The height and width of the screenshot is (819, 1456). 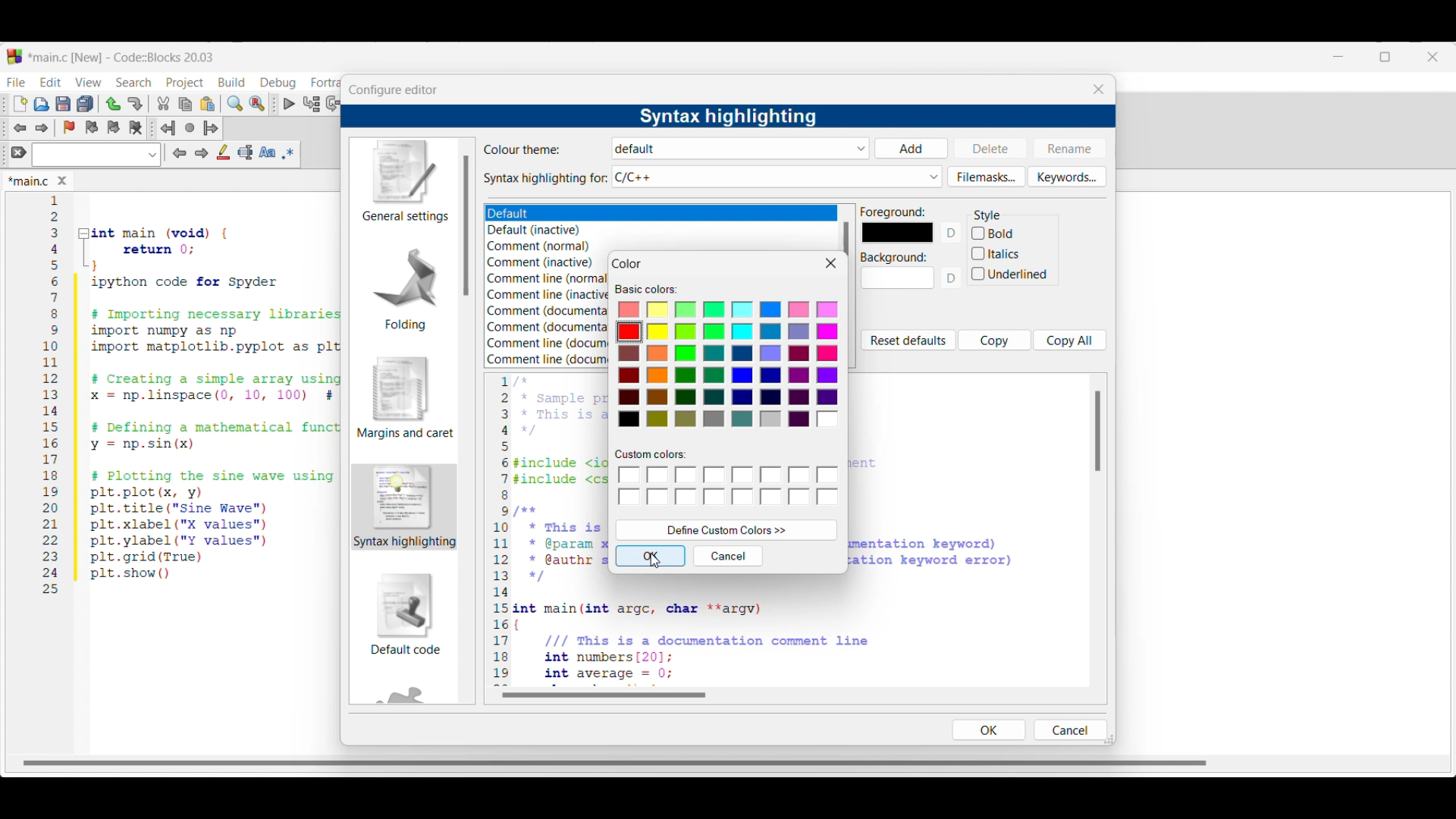 I want to click on Indicates background color options, so click(x=893, y=258).